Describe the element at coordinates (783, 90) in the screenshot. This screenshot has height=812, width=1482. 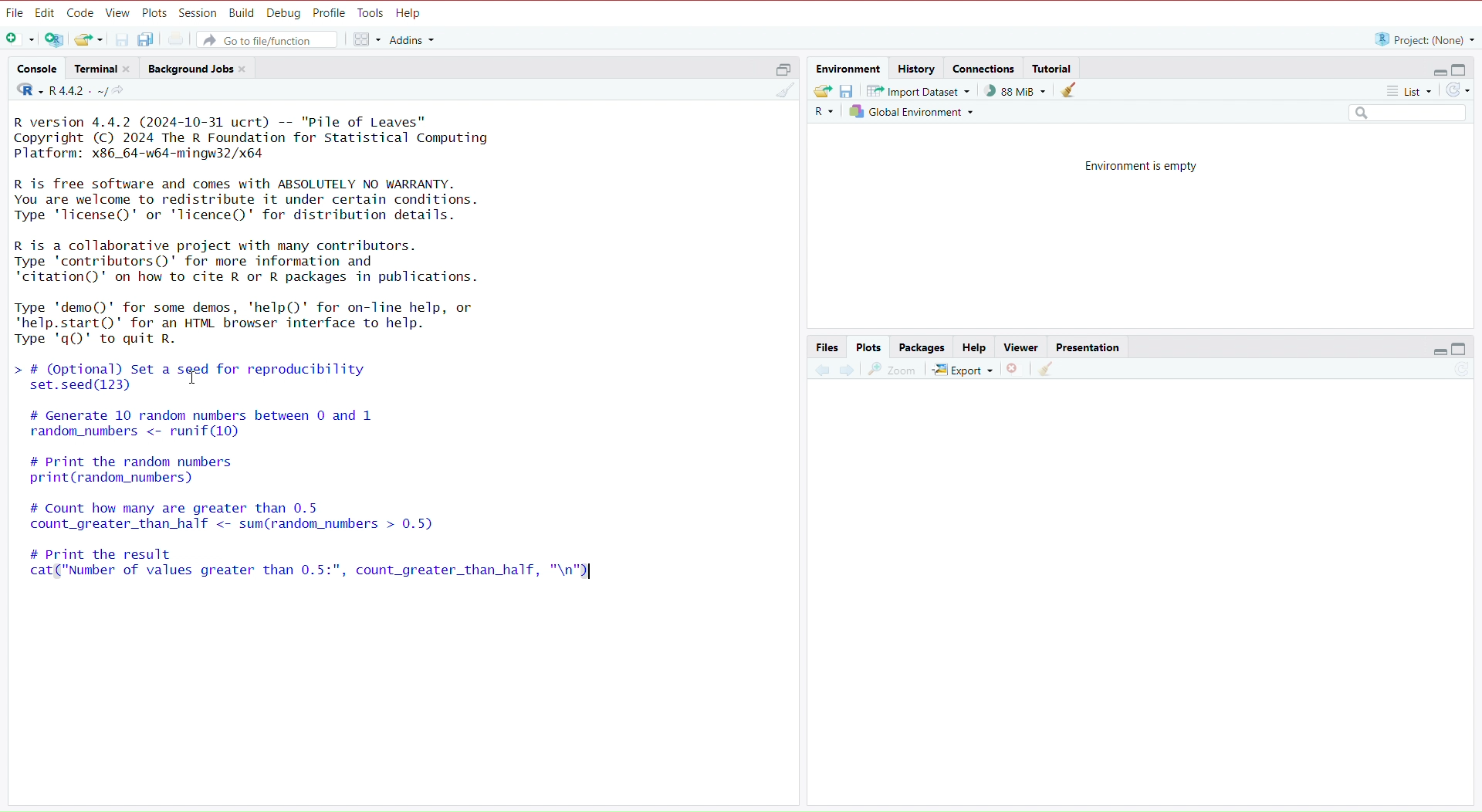
I see `Clear` at that location.